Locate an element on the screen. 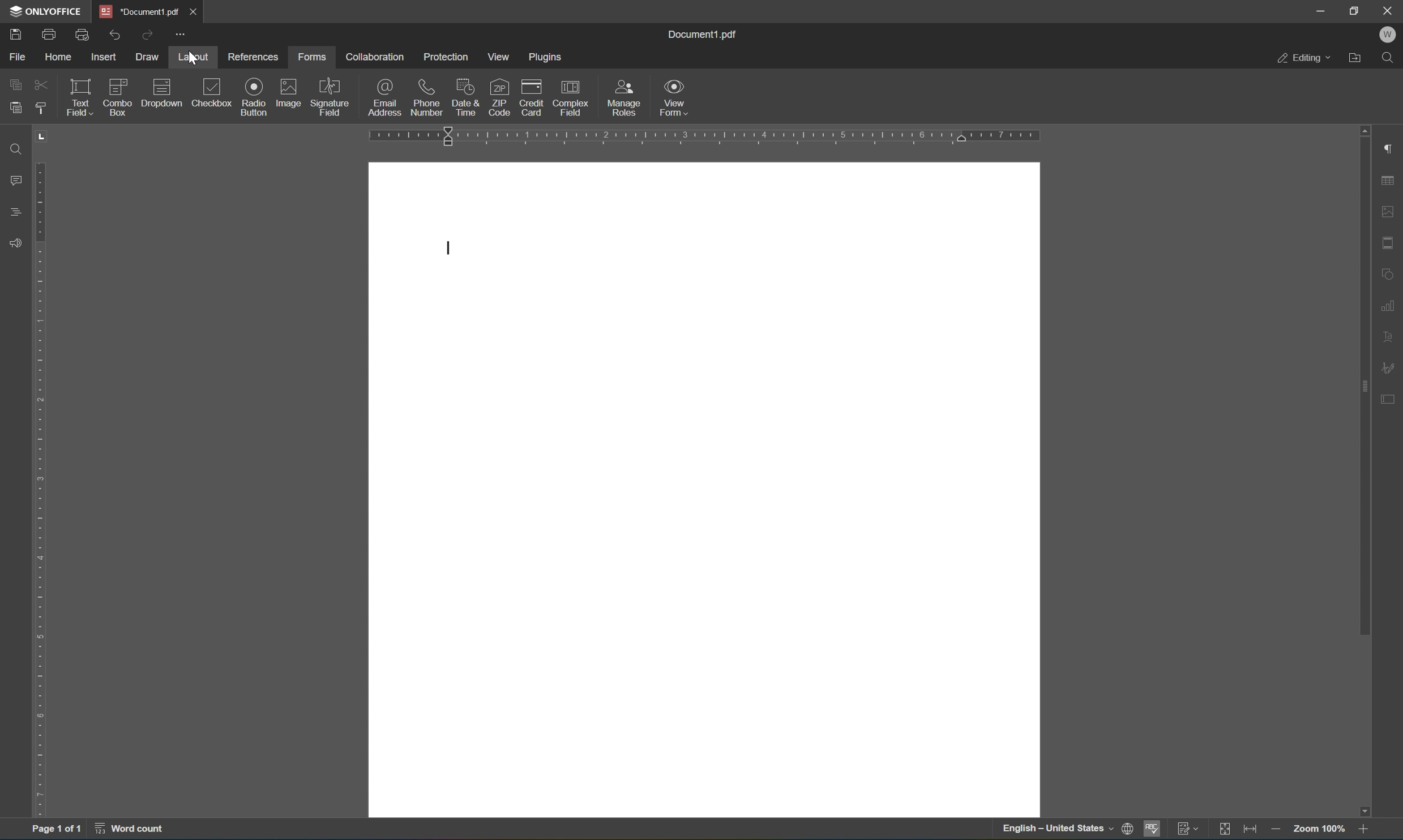  open file location is located at coordinates (1355, 58).